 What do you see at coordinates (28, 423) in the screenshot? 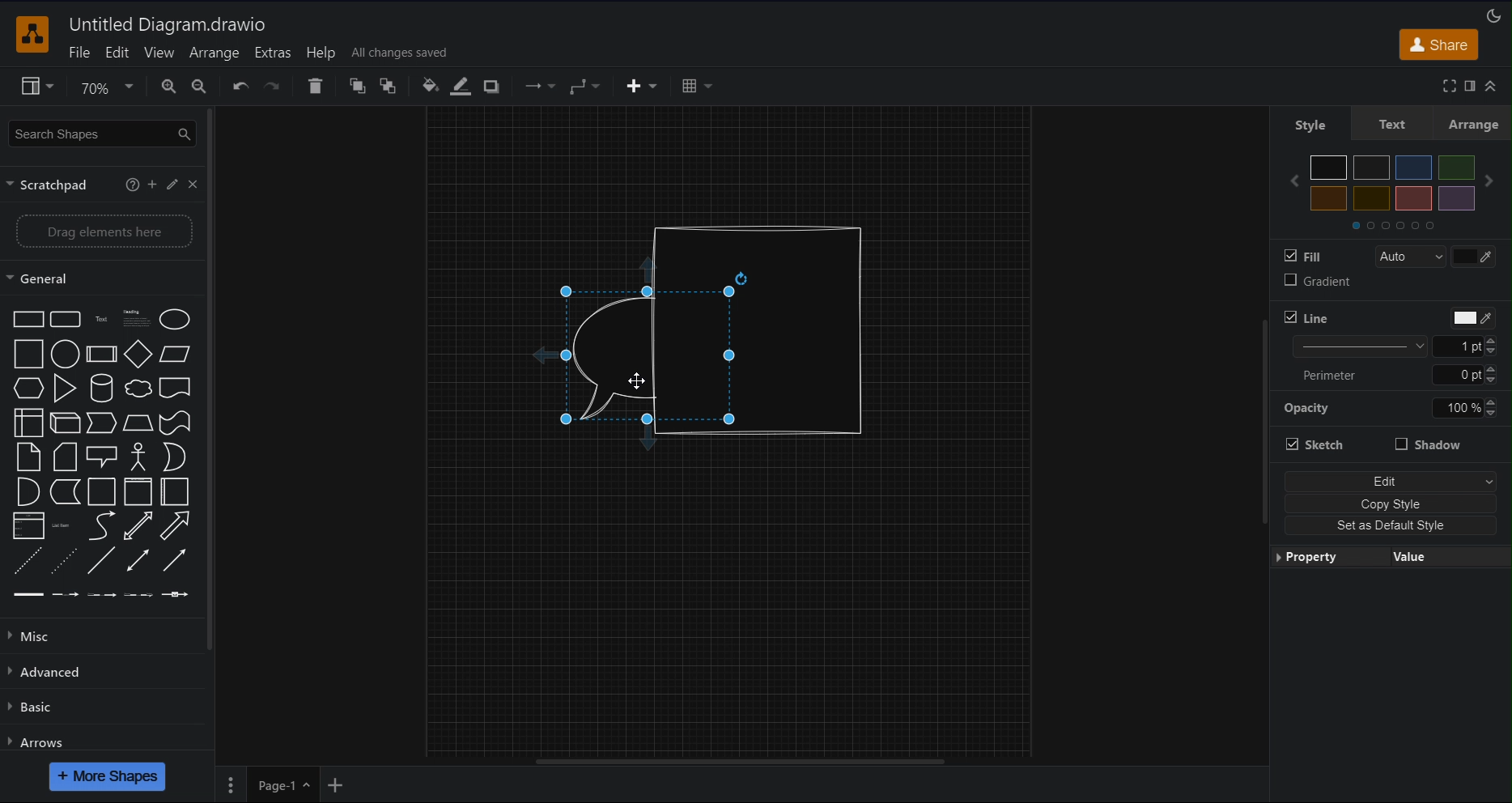
I see `Internal storage` at bounding box center [28, 423].